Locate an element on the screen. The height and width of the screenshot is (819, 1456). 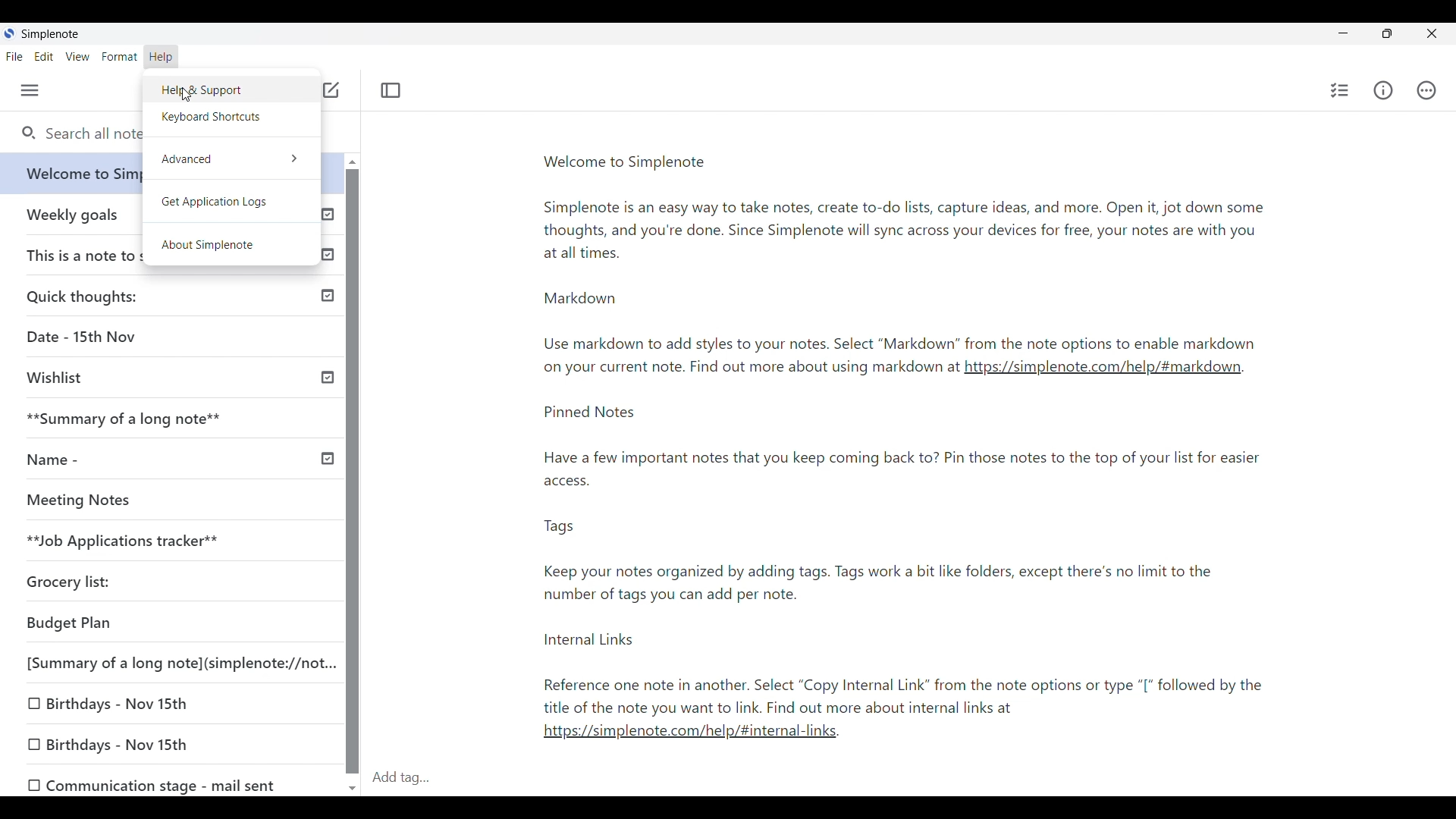
Get application logs is located at coordinates (231, 202).